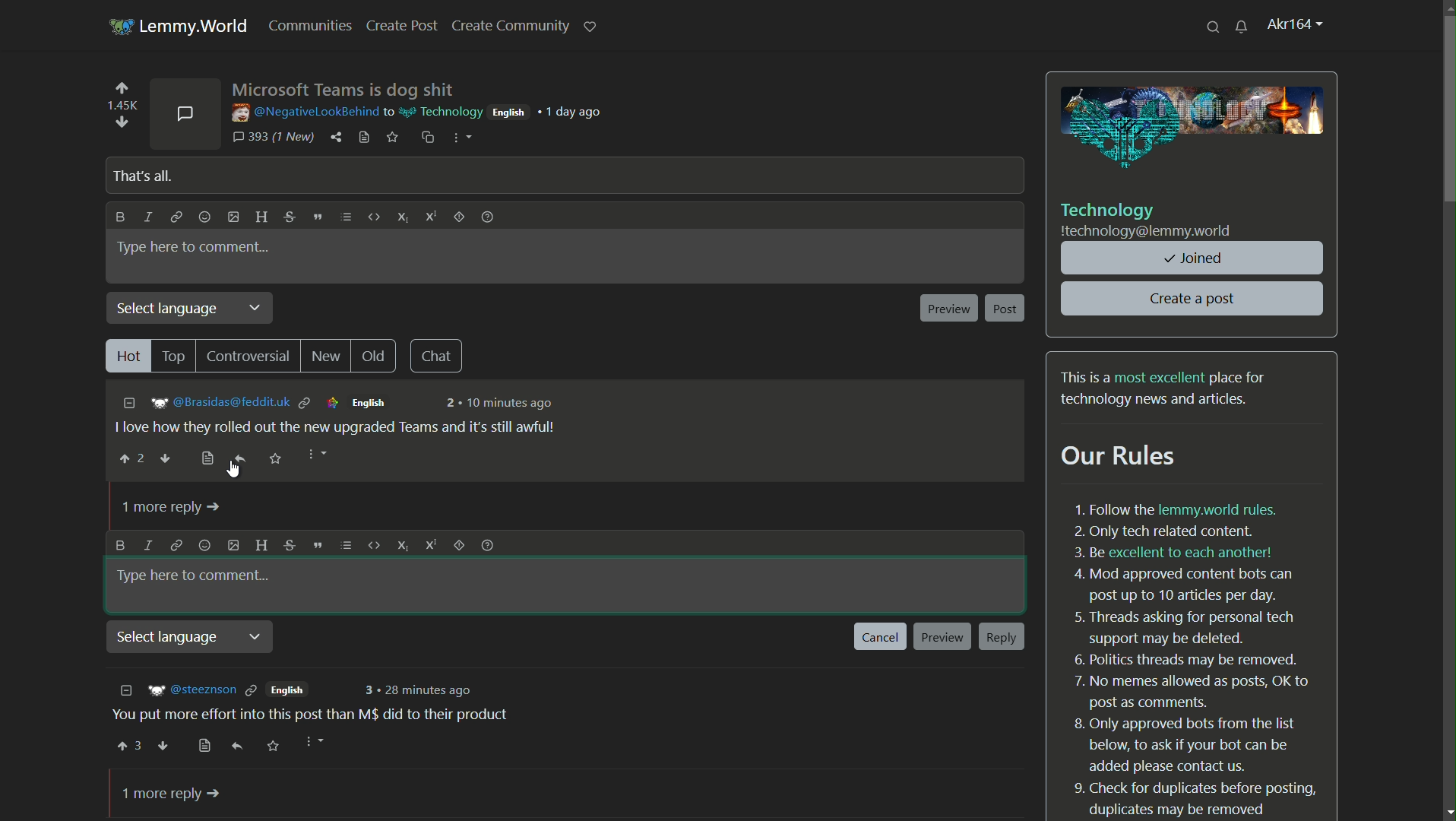 This screenshot has width=1456, height=821. What do you see at coordinates (194, 247) in the screenshot?
I see `type here to comment` at bounding box center [194, 247].